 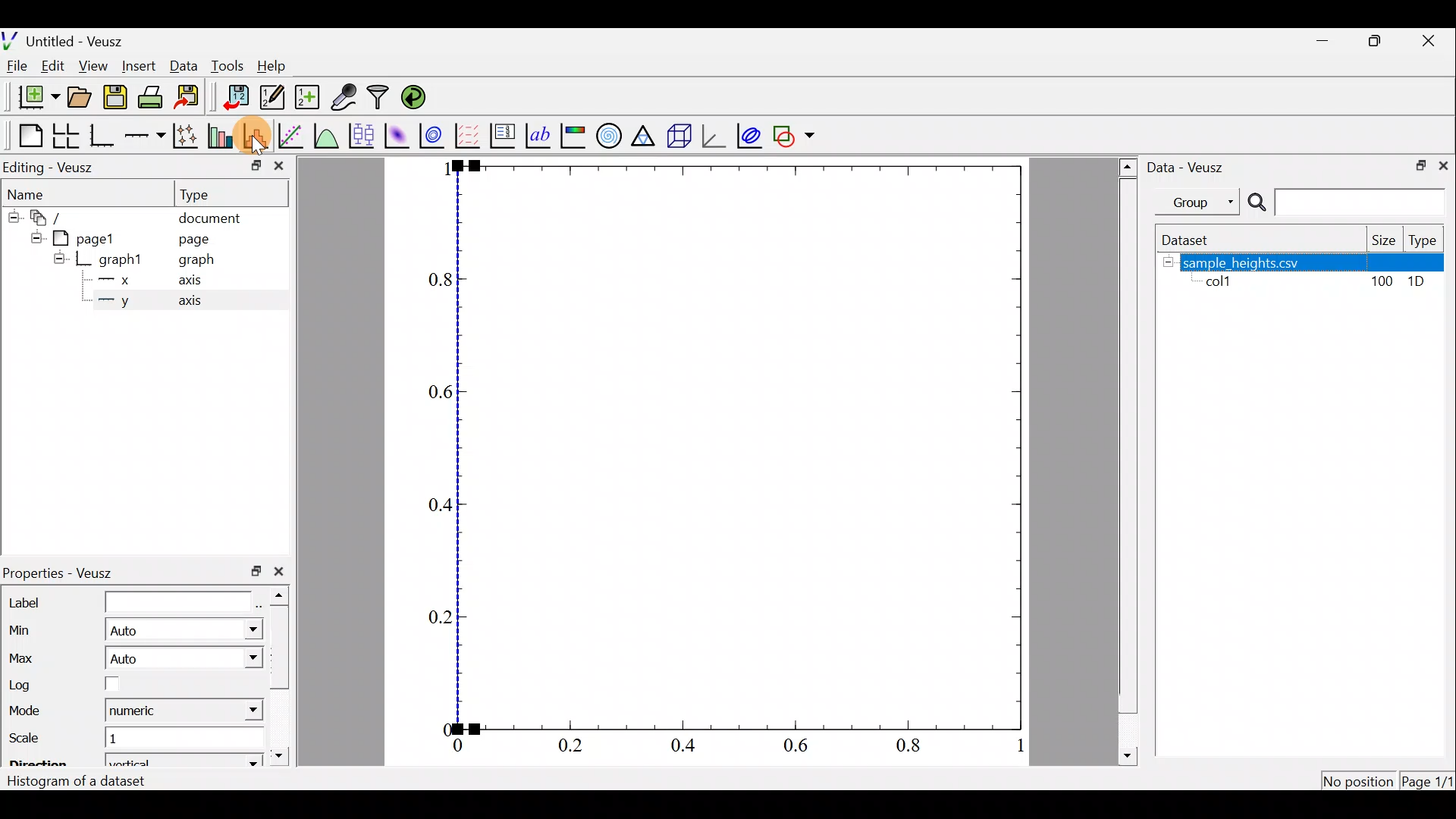 I want to click on 0.8, so click(x=913, y=748).